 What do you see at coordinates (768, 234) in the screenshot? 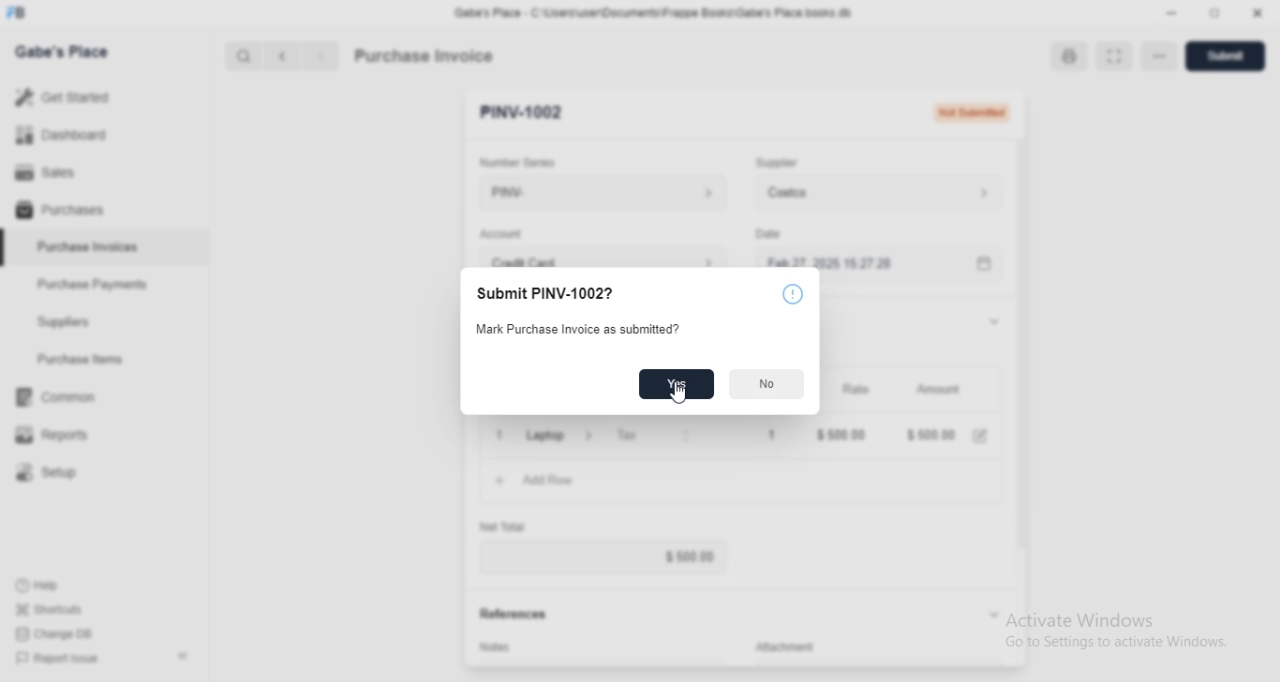
I see `Date` at bounding box center [768, 234].